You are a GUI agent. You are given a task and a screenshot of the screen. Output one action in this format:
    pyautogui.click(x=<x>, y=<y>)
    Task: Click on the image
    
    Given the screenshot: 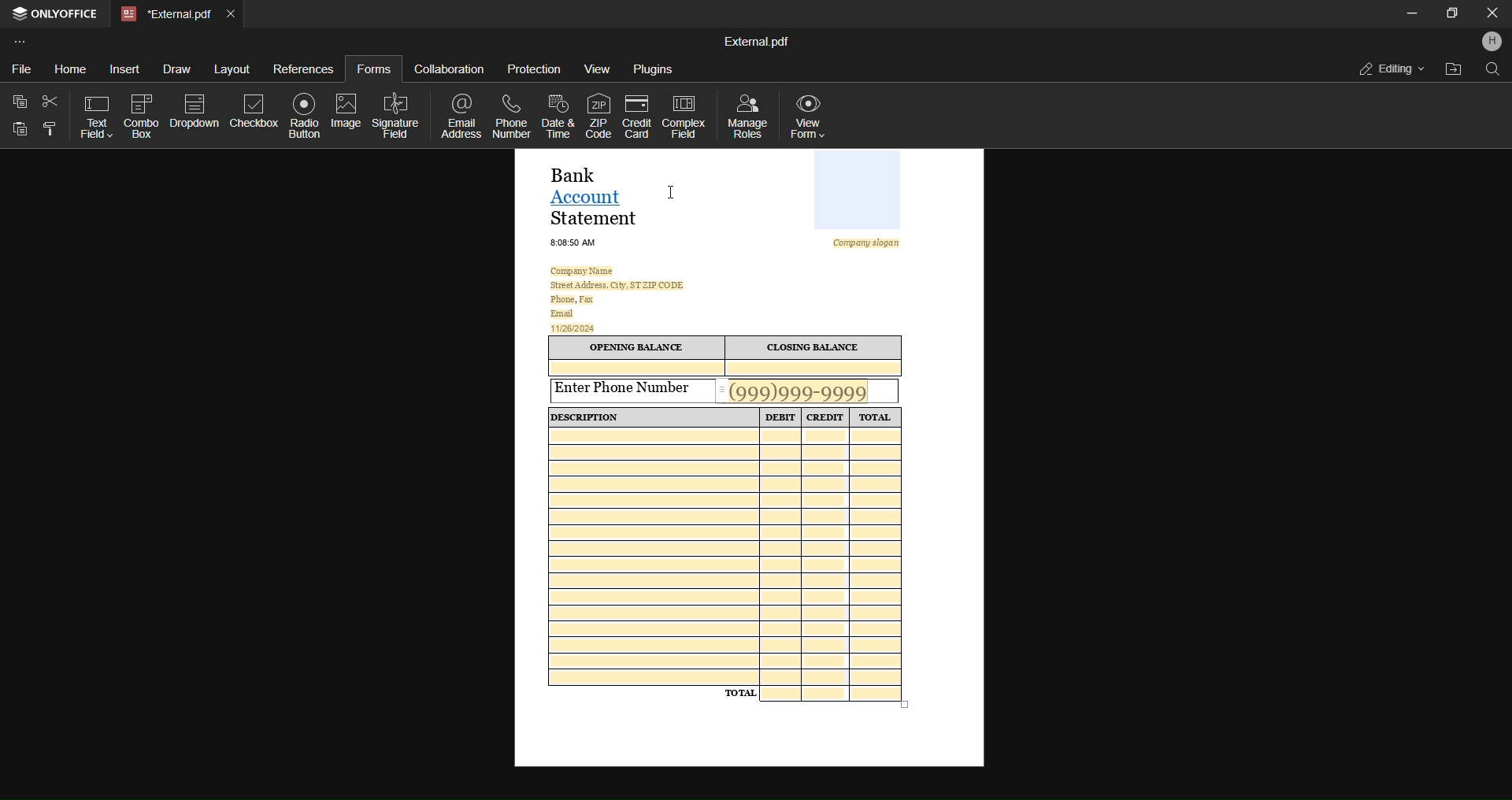 What is the action you would take?
    pyautogui.click(x=346, y=112)
    